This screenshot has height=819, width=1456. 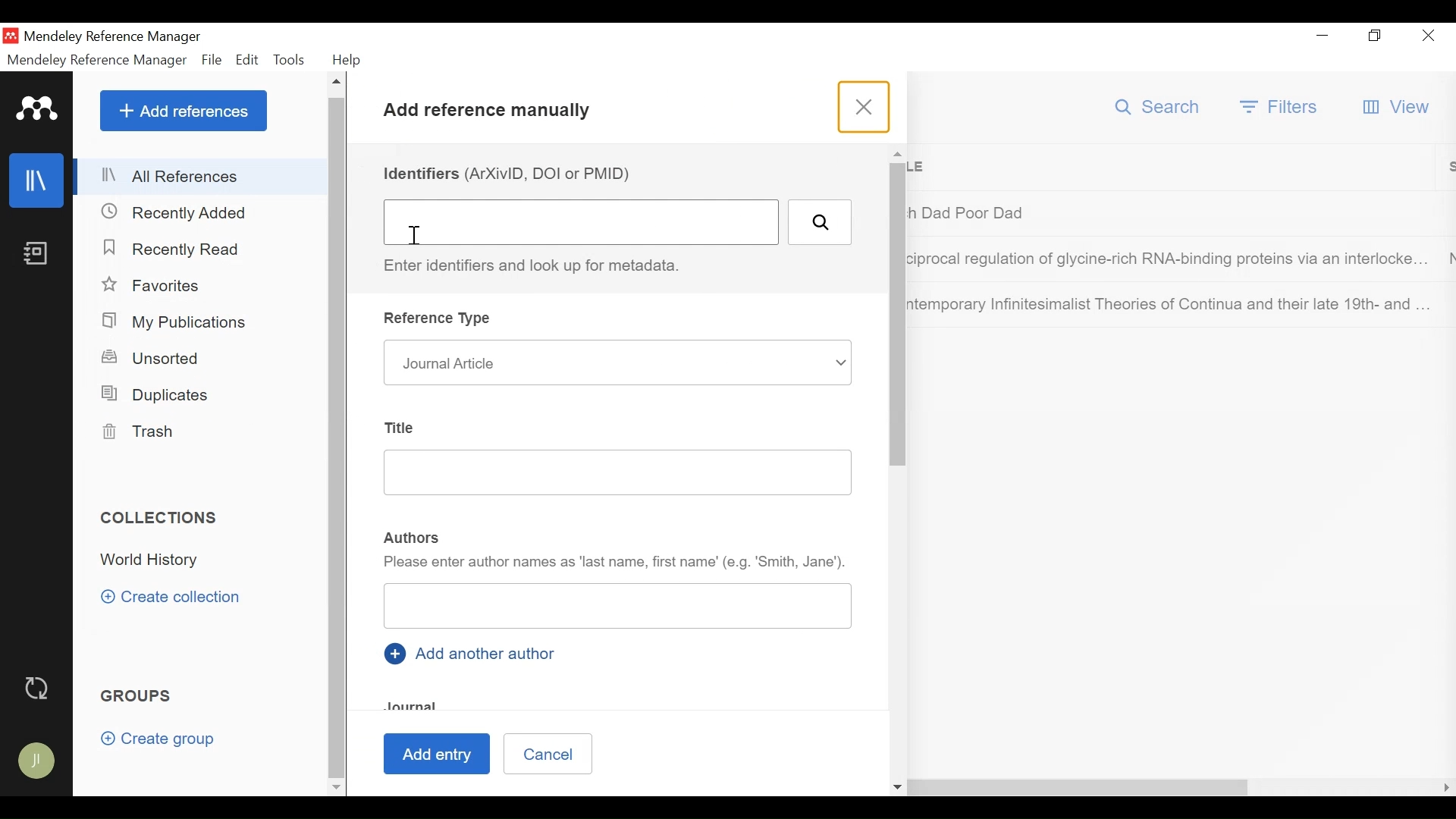 What do you see at coordinates (620, 605) in the screenshot?
I see `Authors Field` at bounding box center [620, 605].